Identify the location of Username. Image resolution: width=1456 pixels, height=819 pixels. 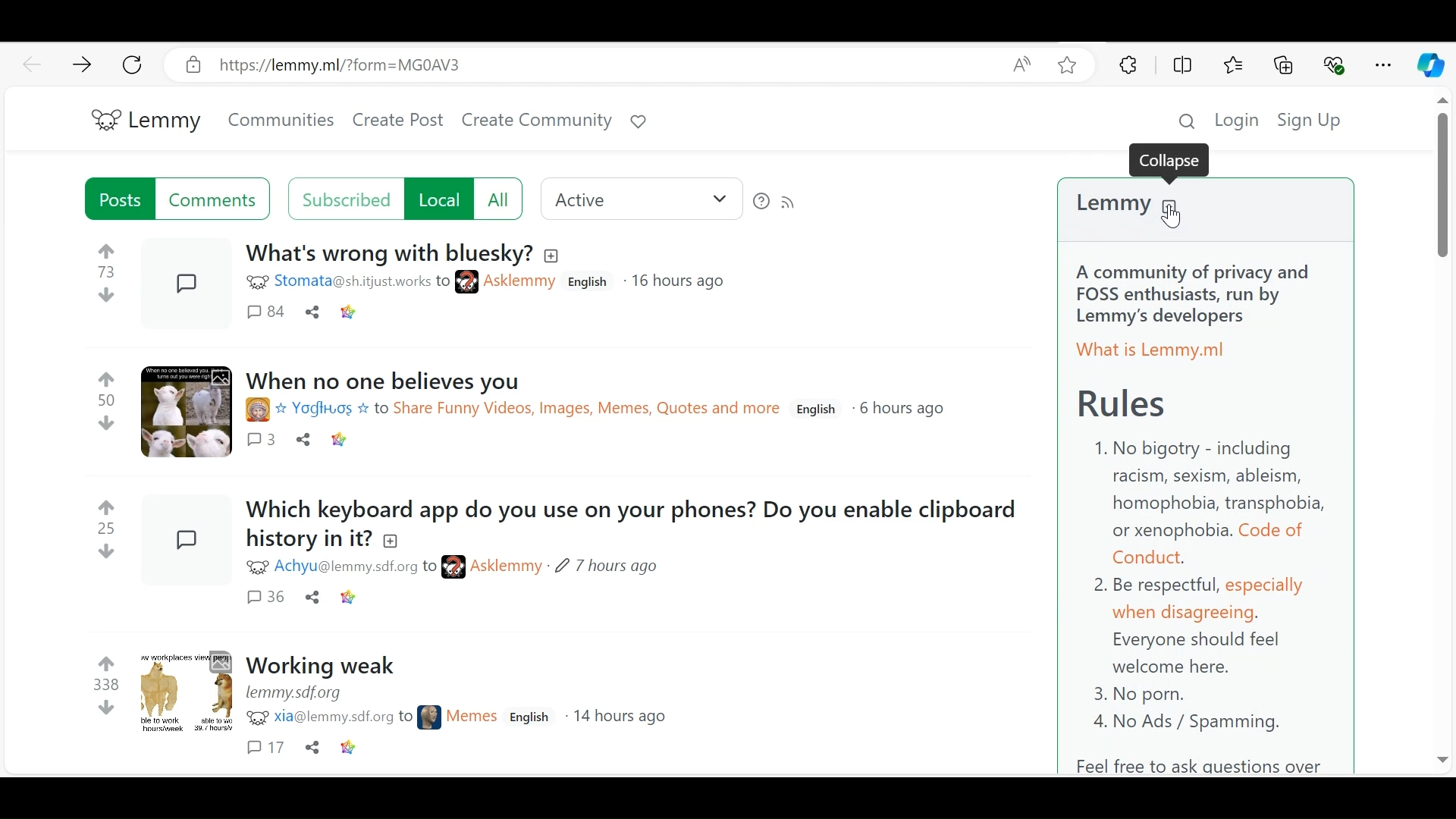
(472, 715).